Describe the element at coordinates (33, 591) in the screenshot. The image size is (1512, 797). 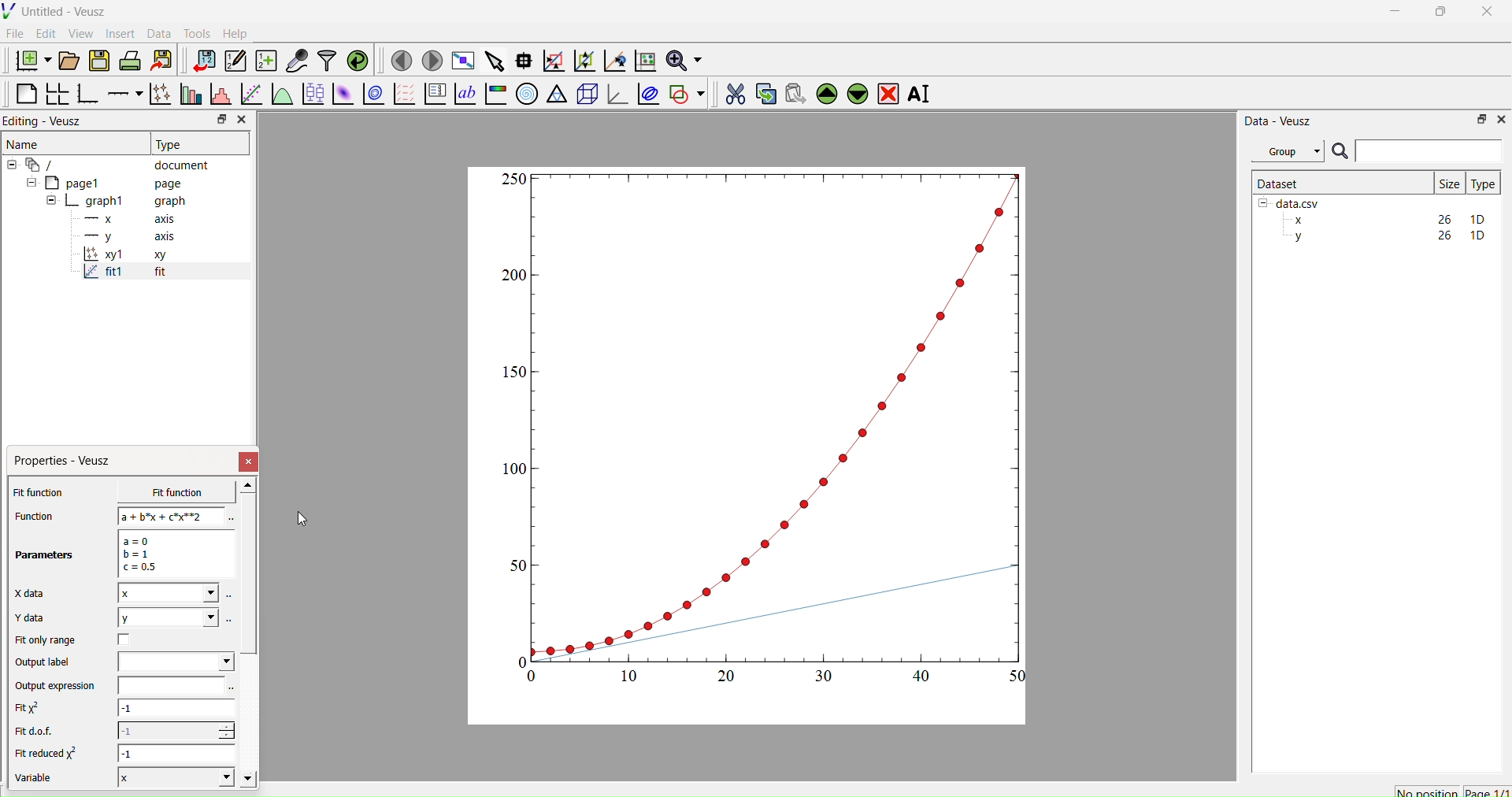
I see `X data` at that location.